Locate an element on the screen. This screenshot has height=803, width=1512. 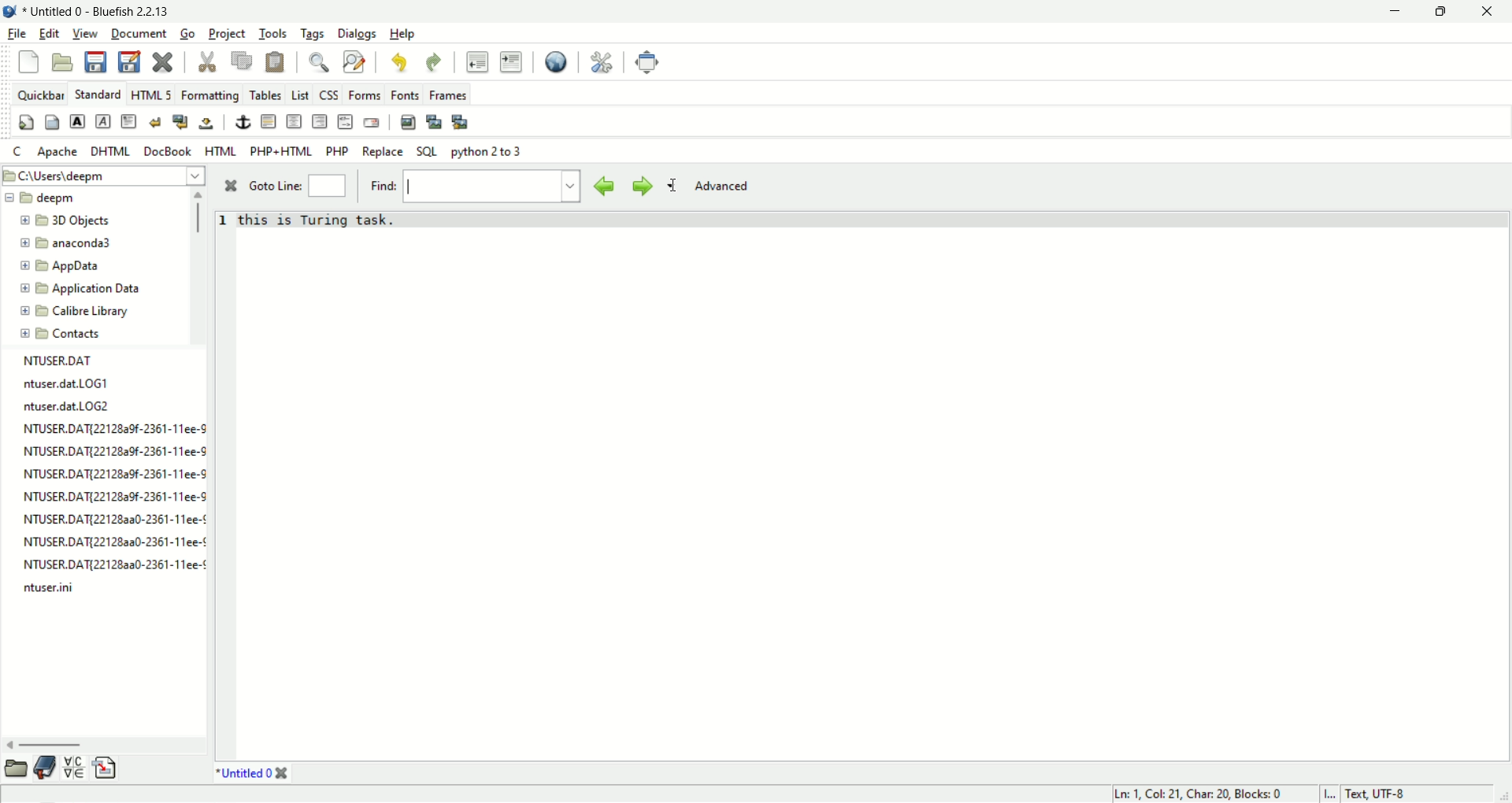
ntuser.dat.LOG1 is located at coordinates (57, 383).